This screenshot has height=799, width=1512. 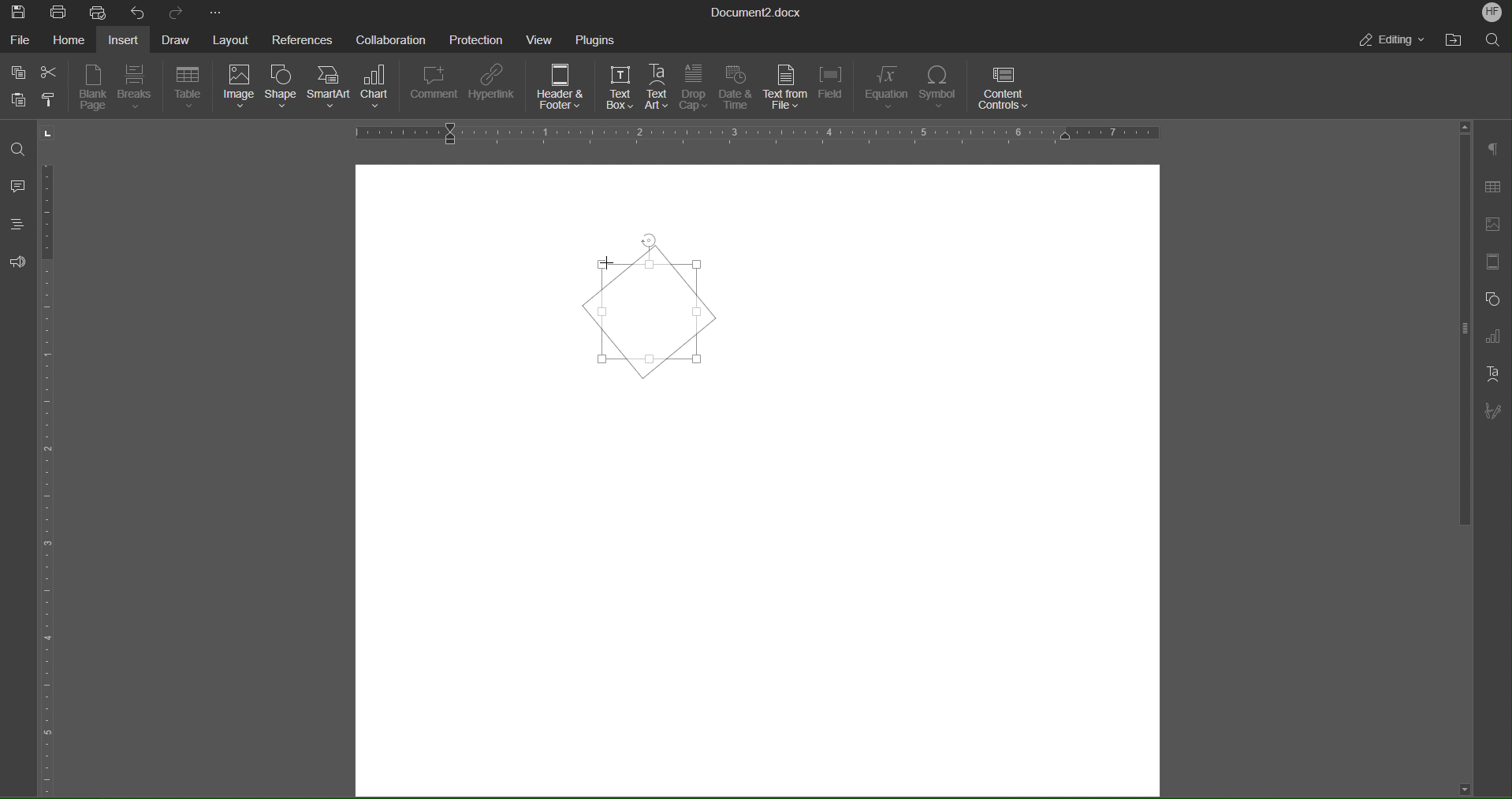 I want to click on Table, so click(x=1492, y=188).